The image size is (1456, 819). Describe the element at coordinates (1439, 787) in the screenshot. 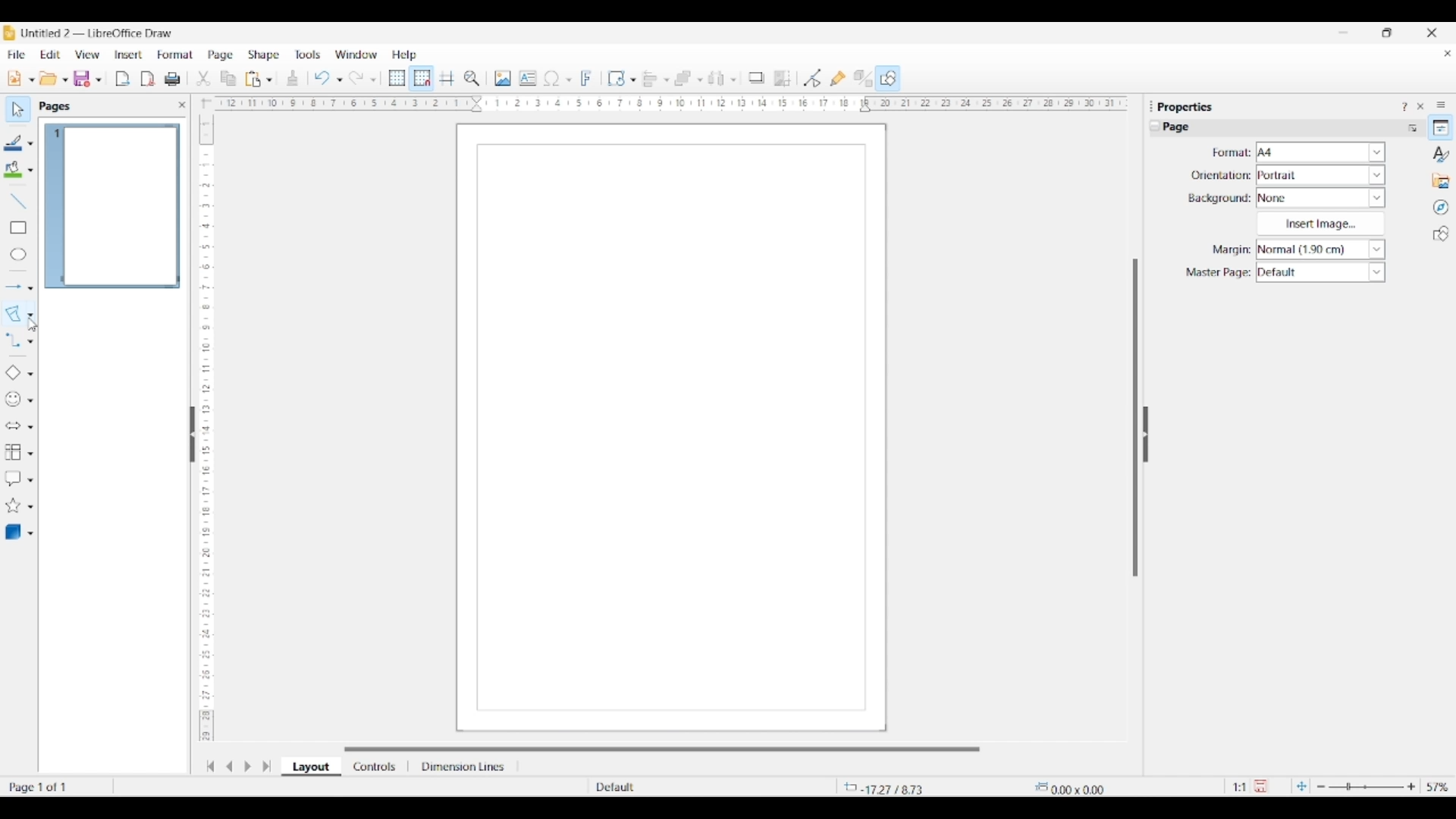

I see `Zoom factor` at that location.